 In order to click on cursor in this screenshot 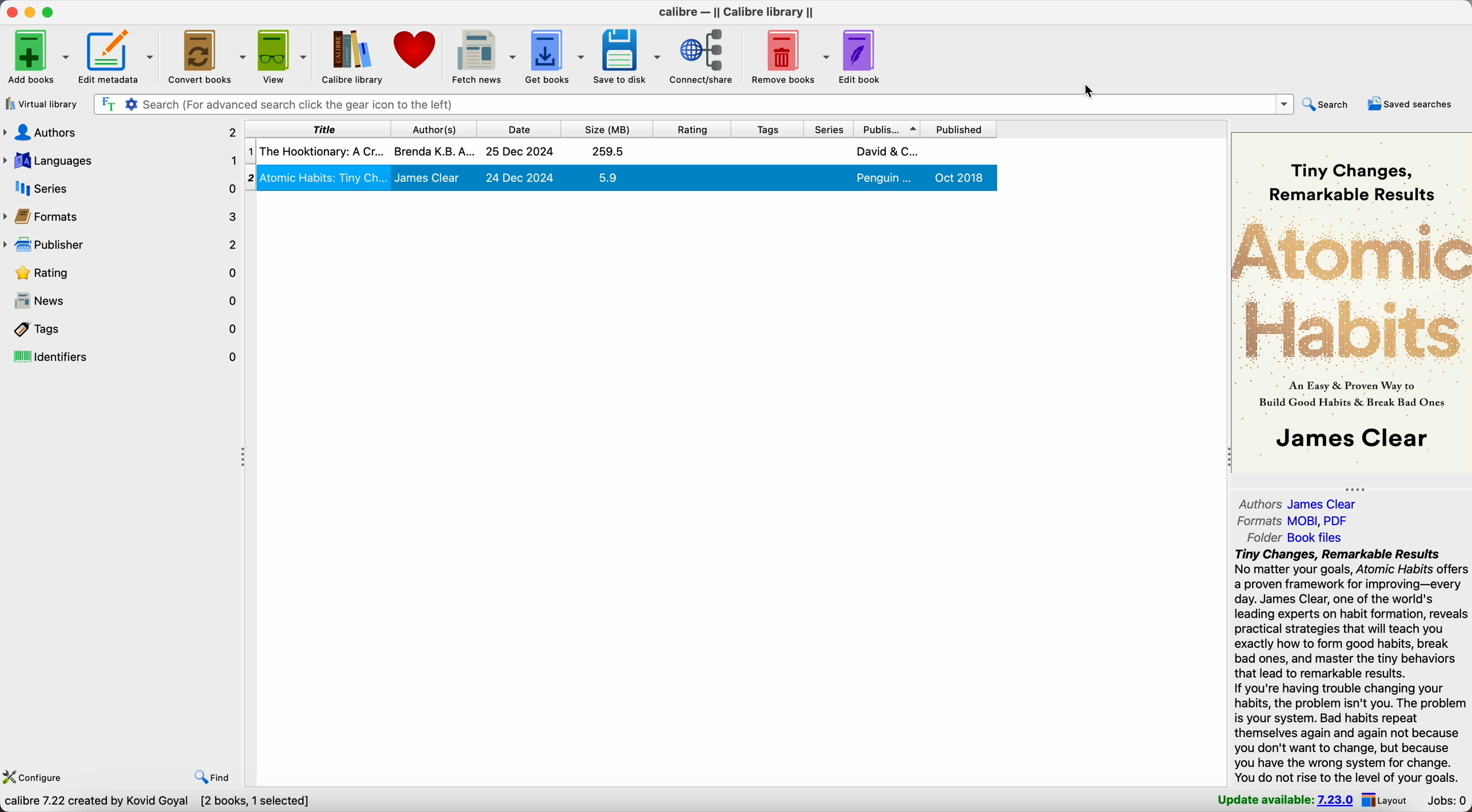, I will do `click(1090, 90)`.